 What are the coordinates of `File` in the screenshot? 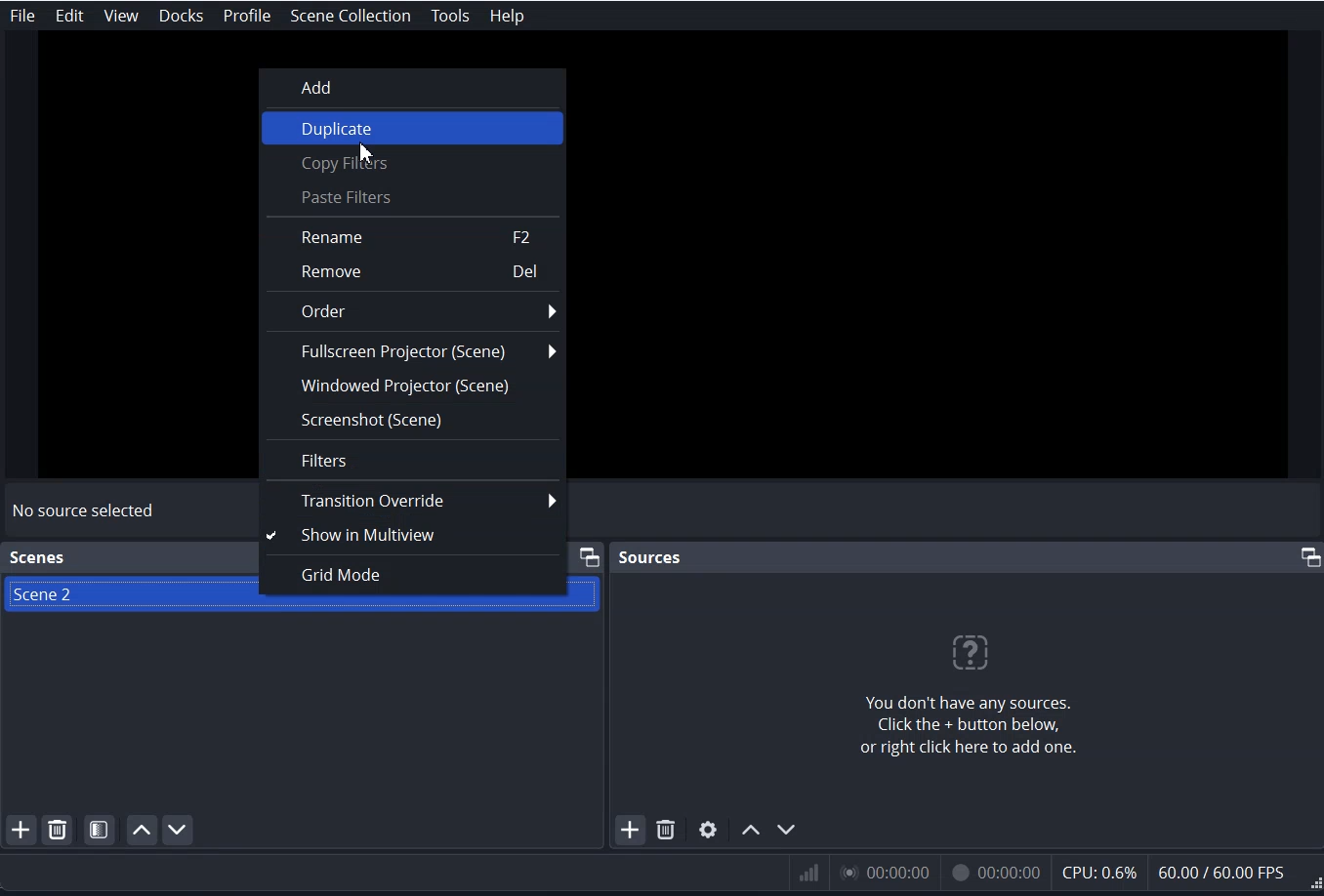 It's located at (21, 16).